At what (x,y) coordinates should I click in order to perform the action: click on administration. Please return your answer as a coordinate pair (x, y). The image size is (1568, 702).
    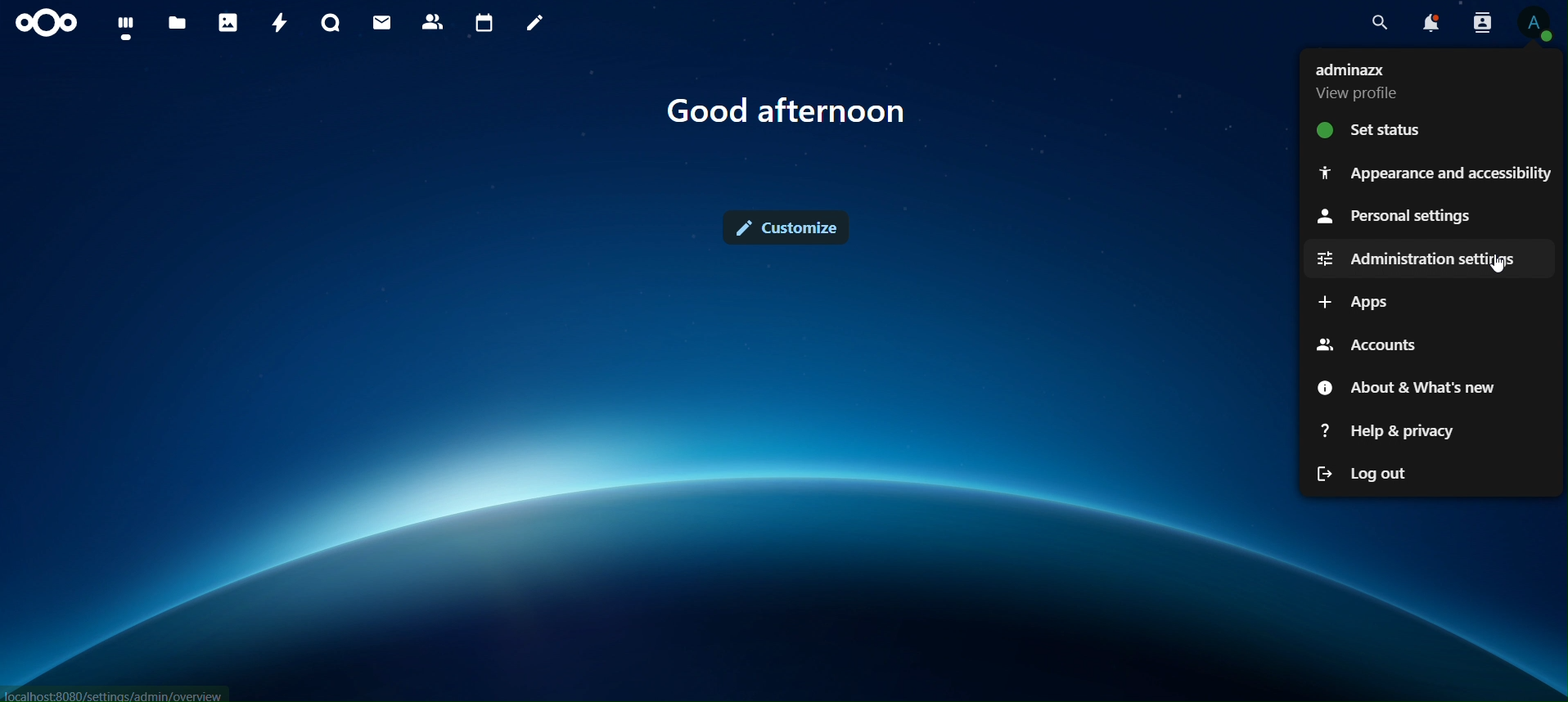
    Looking at the image, I should click on (1422, 258).